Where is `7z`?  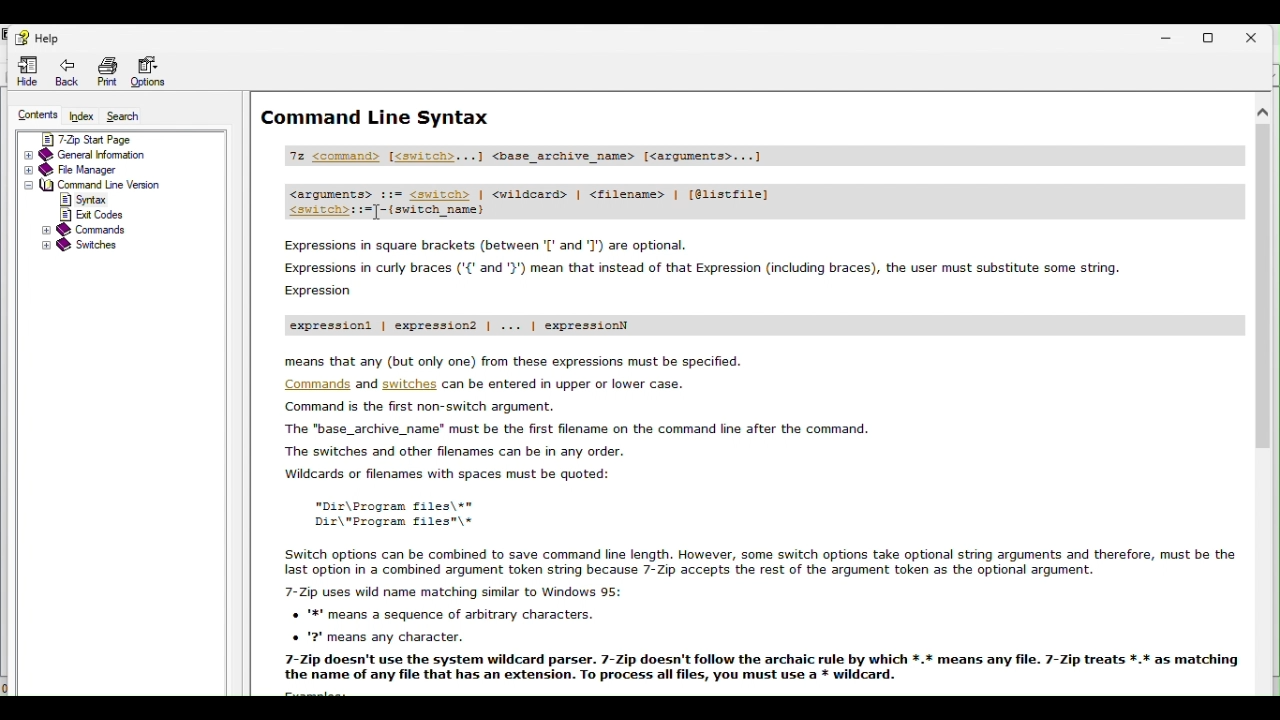
7z is located at coordinates (293, 158).